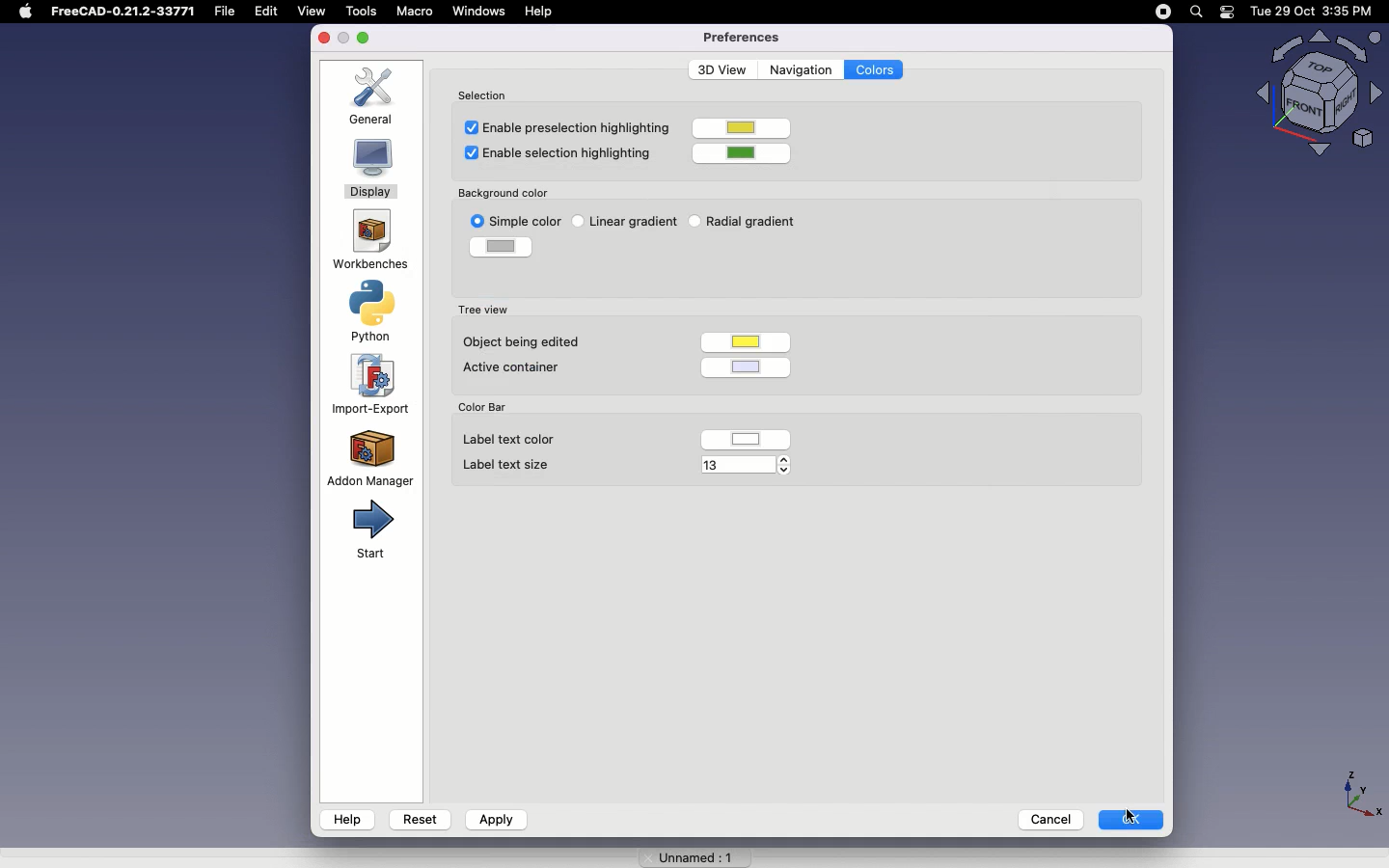  What do you see at coordinates (542, 11) in the screenshot?
I see `Help` at bounding box center [542, 11].